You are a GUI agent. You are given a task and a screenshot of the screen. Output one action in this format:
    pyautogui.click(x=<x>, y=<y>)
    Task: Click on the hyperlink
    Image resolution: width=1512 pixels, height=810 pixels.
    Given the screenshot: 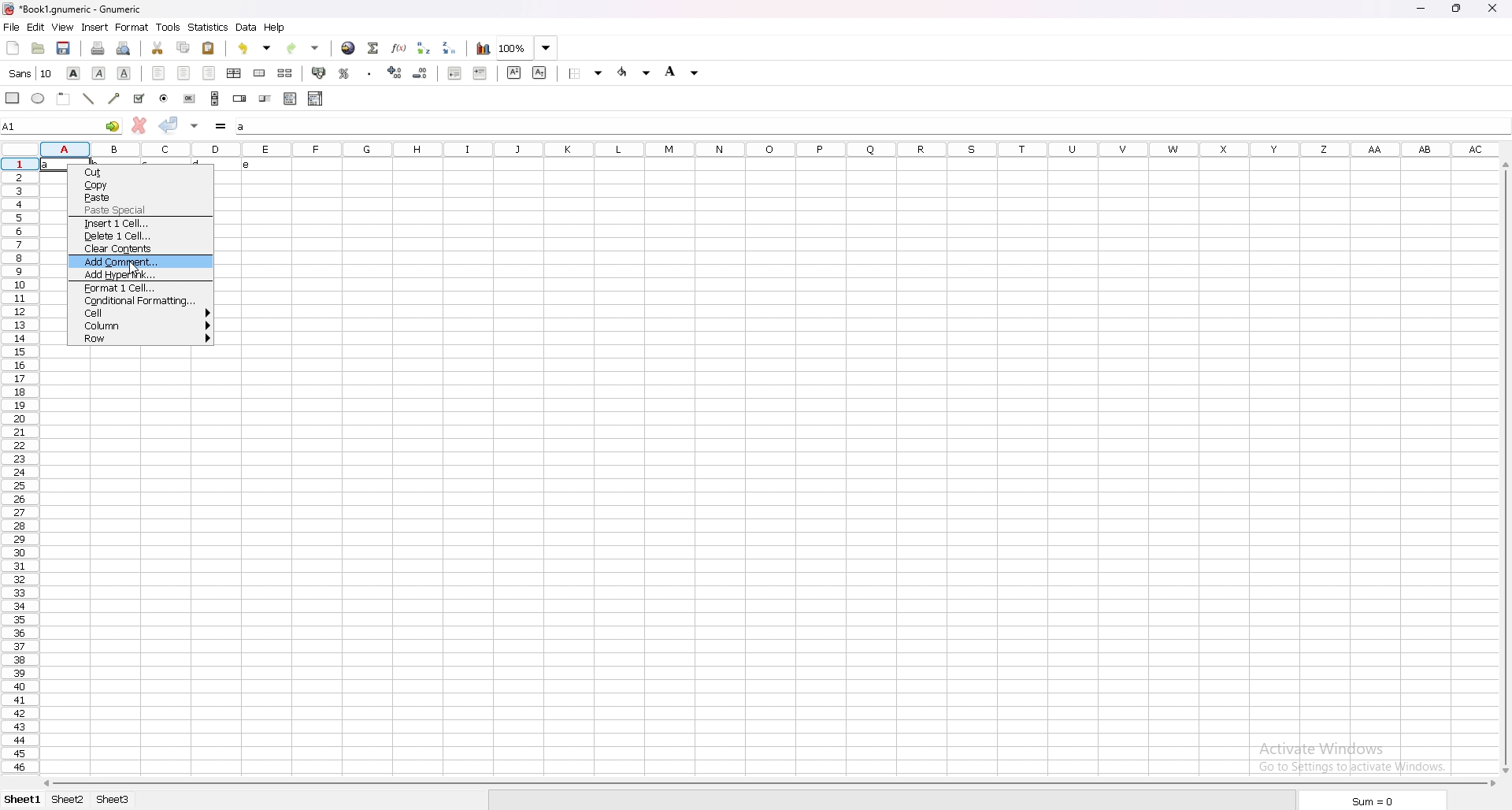 What is the action you would take?
    pyautogui.click(x=349, y=48)
    